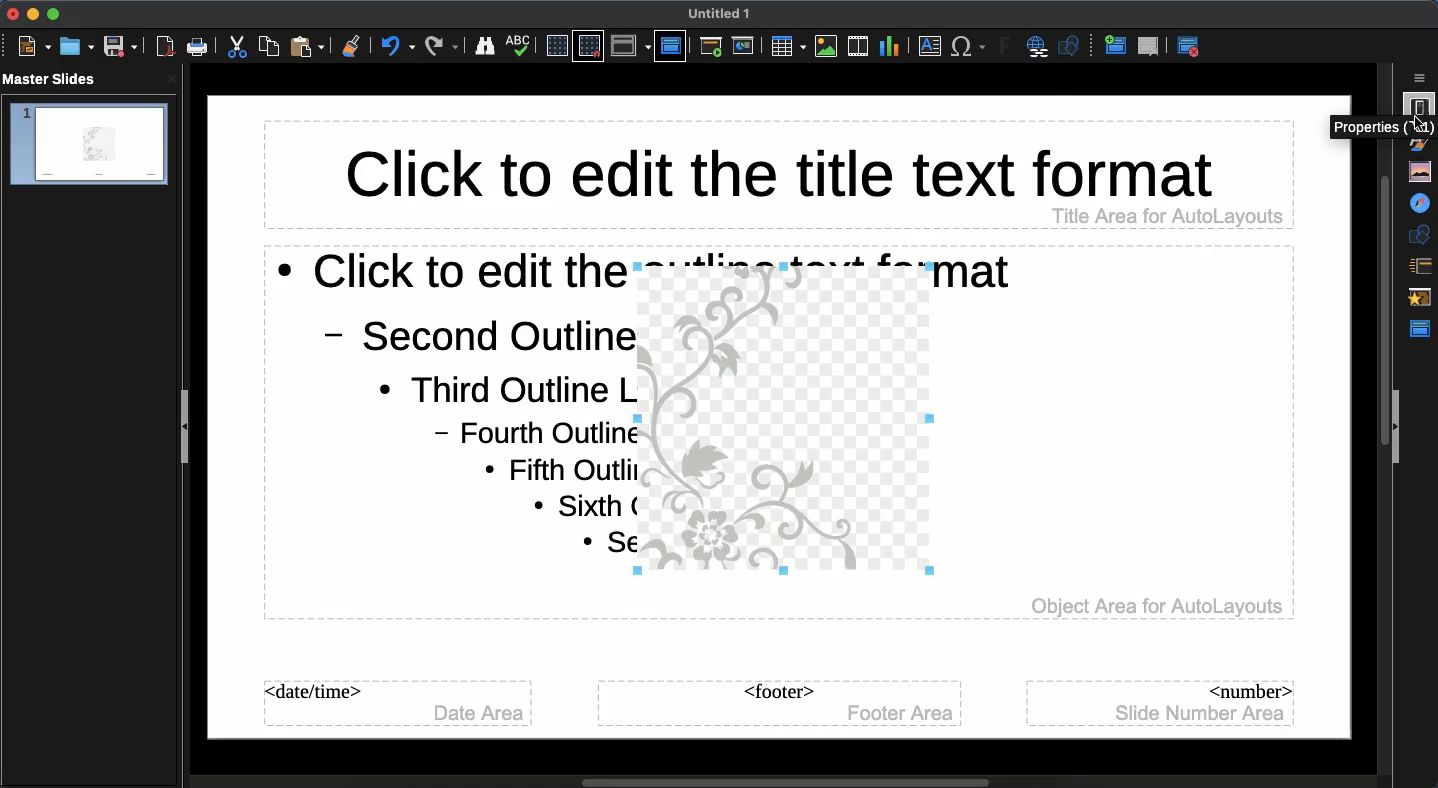 This screenshot has width=1438, height=788. What do you see at coordinates (856, 47) in the screenshot?
I see `Video audio` at bounding box center [856, 47].